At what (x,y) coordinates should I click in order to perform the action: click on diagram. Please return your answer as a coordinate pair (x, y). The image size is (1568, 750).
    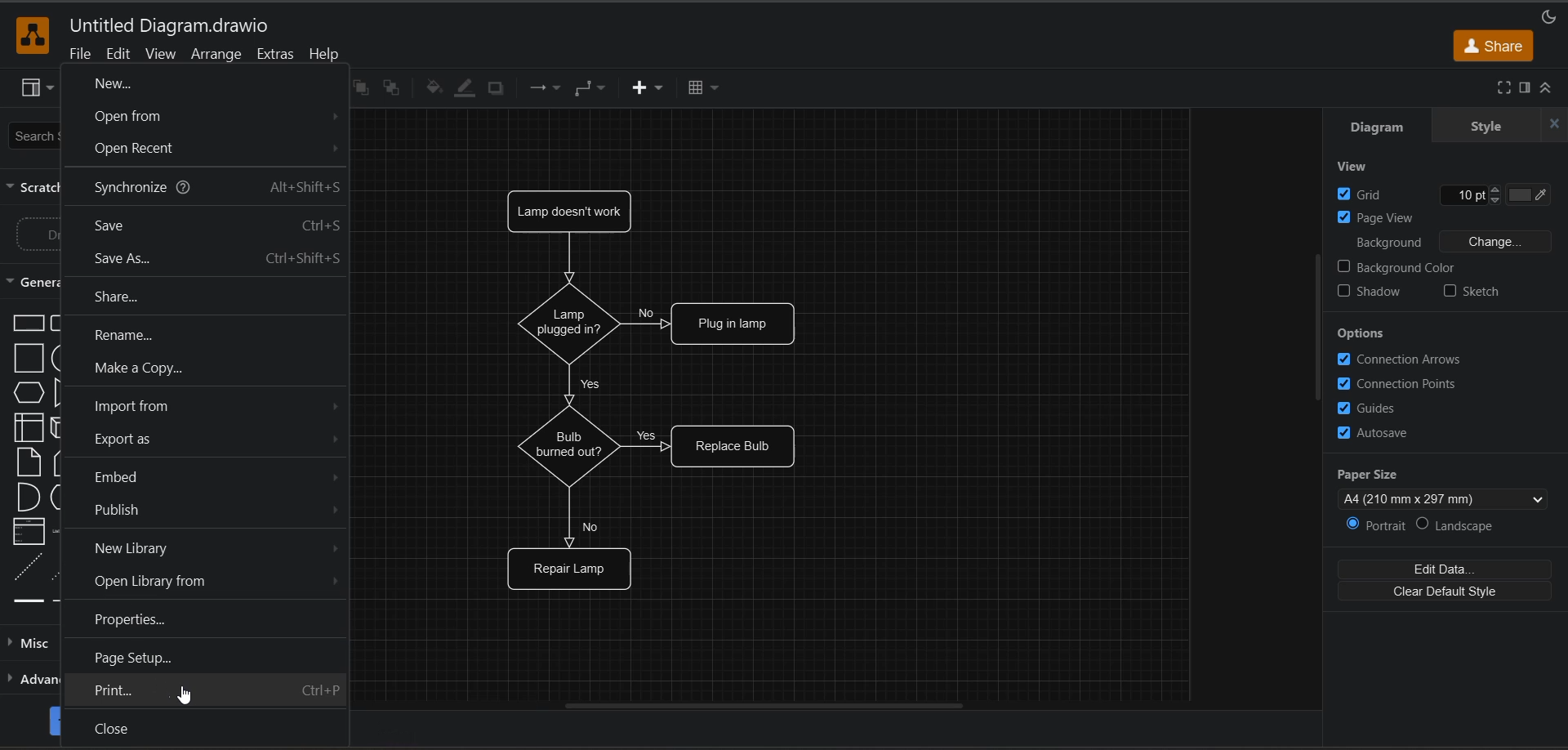
    Looking at the image, I should click on (1381, 125).